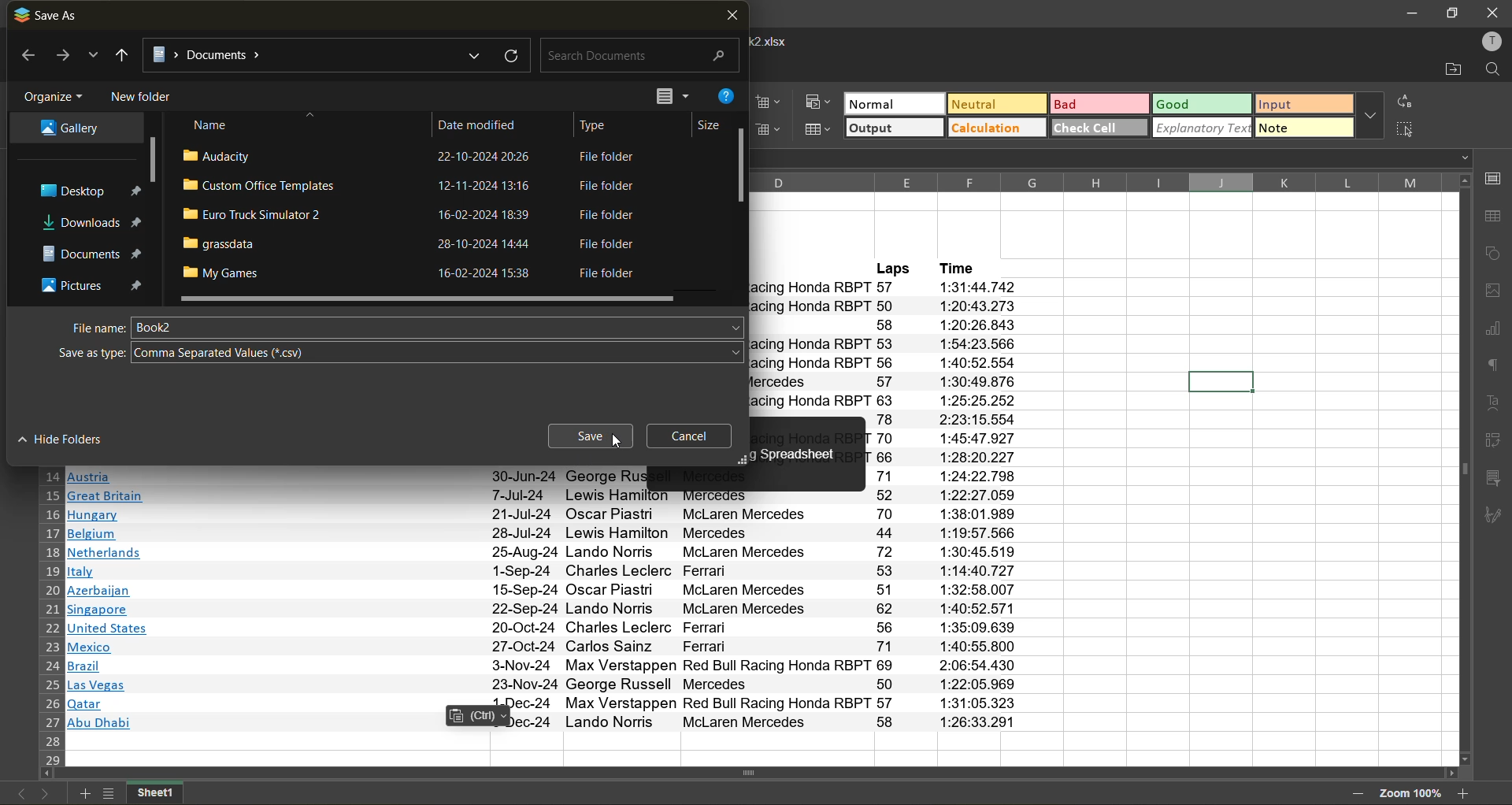 The width and height of the screenshot is (1512, 805). I want to click on cancel, so click(696, 436).